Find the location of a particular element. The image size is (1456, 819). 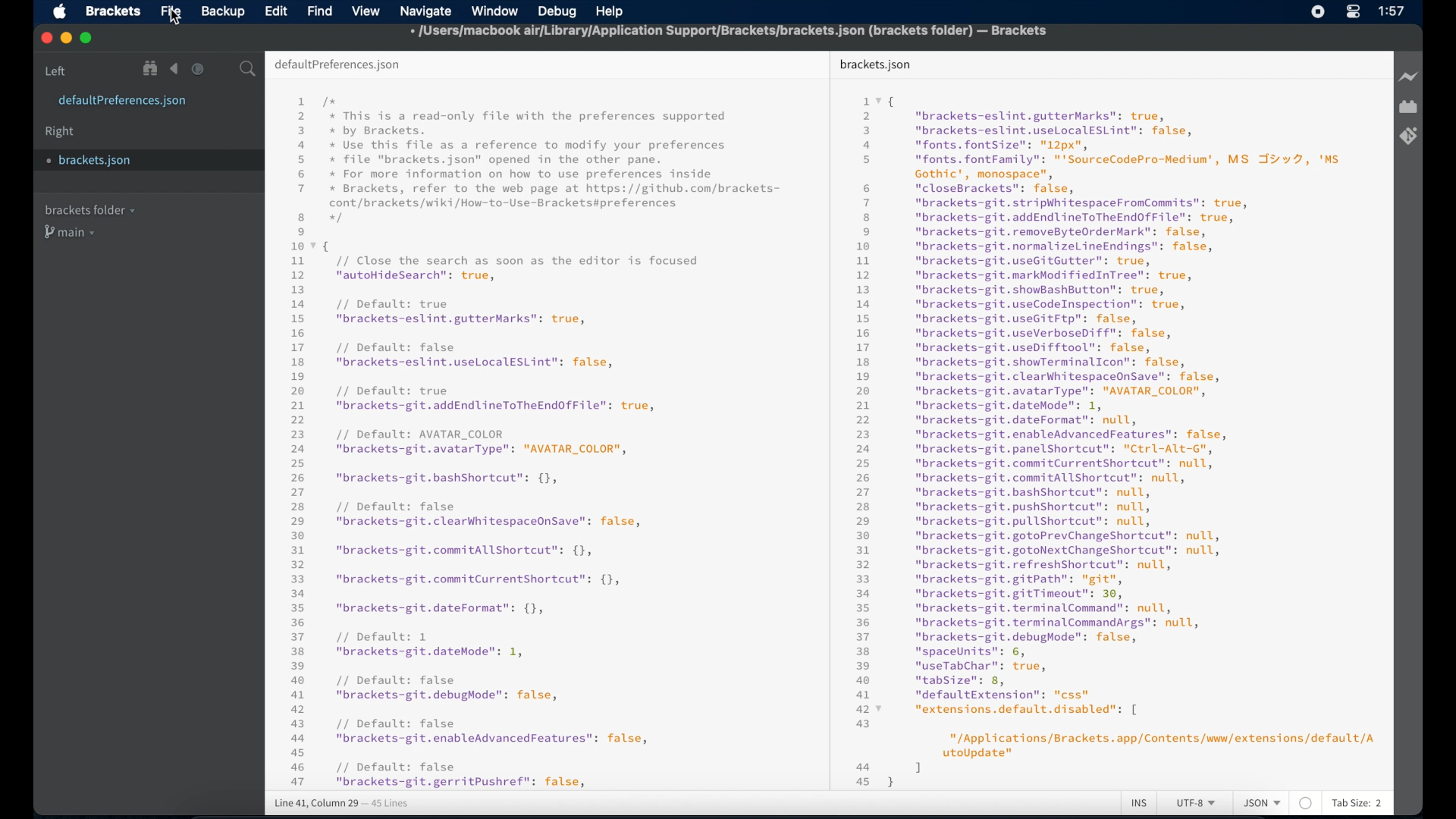

1 v { 2 "brackets-eslint.gutterMarks": true,3 "brackets-eslint.useLocalESLint": false,4 "fonts. fontSize": "12px",Li "fonts. fontFamily": "'SourceCodePro-Medium', MS JY v7, 'MSGothic', monospace”,6 "closeBrackets": false,7 "brackets-git.stripWhitespaceFromCommits": true,8 "brackets-git.addEndlineToTheEndOfFile": true,9 "brackets-git.removeByteOrderMark": false,10 "brackets-git.normalizeLineEndings": false,1 "brackets-git.useGitGutter": true,12 "brackets-git.markModifiedInTree": true,13 "brackets-git.showBashButton": true,14 "brackets-git.useCodeInspection": true,15 "brackets-git.useGitFtp": false,16 "brackets-git.useVerboseDiff": false,17 "brackets-git.useDifftool": false,18 "brackets-git.showTerminalIcon": false,19 "brackets-git.clearWhitespaceOnsave": false,20 "brackets-git.avatarType": "AVATAR_COLOR",21 "brackets-git.dateMode": 1,22 "brackets-git.dateFormat": null,23 "brackets-git.enableAdvancedFeatures": false,24 "brackets-git.panelShortcut": "Ctrl-Alt-G",25 "brackets-git.commitCurrentShortcut": null,26 "brackets-git.commitAllShortcut": null,27 "brackets-git.bashShortcut": null,28 "brackets-git.pushShortcut": null,29 "brackets-git.pullShortcut": null,30 "brackets-git.gotoPrevChangeShortcut": null,31 "brackets-git.gotoNextChangeShortcut": null,32 "brackets-git.refreshShortcut": null,33 "brackets-git.gitPath": "git",34 "brackets-git.gitTimeout": 30,35 "brackets-git.terminalCommand": null,36 "brackets-git.terminalCommandArgs": null,37 "brackets-git.debughode": false,38 "spaceUnits": 6,39 "useTabChar": true,40 "tabsize": 8,a "defaultExtension": "css"av “"extensions.default.disabled": [43"/Applications/Brackets.app/Contents/www/extensions/default/AutoUpdate"44 ]45 } is located at coordinates (1116, 439).